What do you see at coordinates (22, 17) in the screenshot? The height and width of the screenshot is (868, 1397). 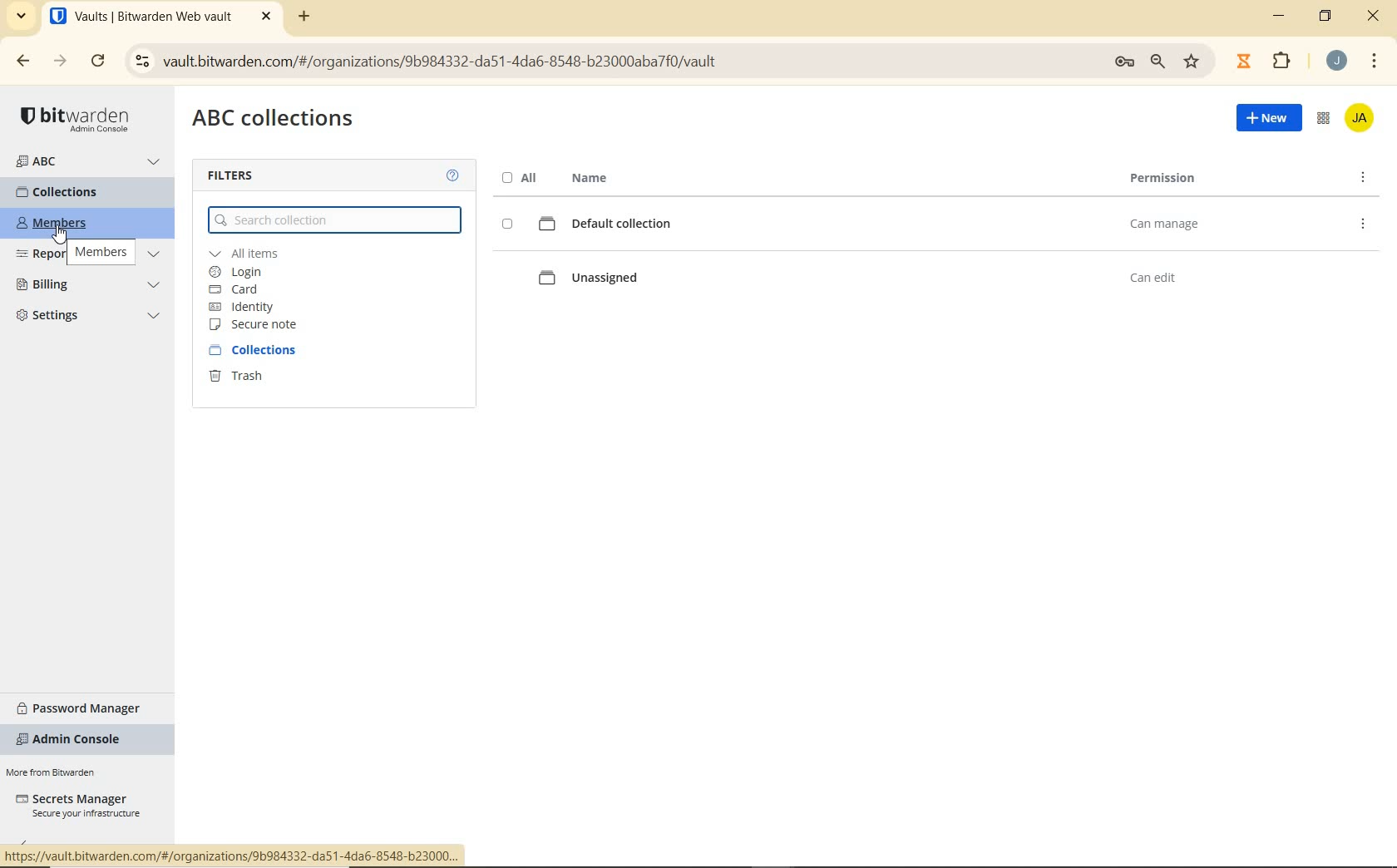 I see `SEARCH TABS` at bounding box center [22, 17].